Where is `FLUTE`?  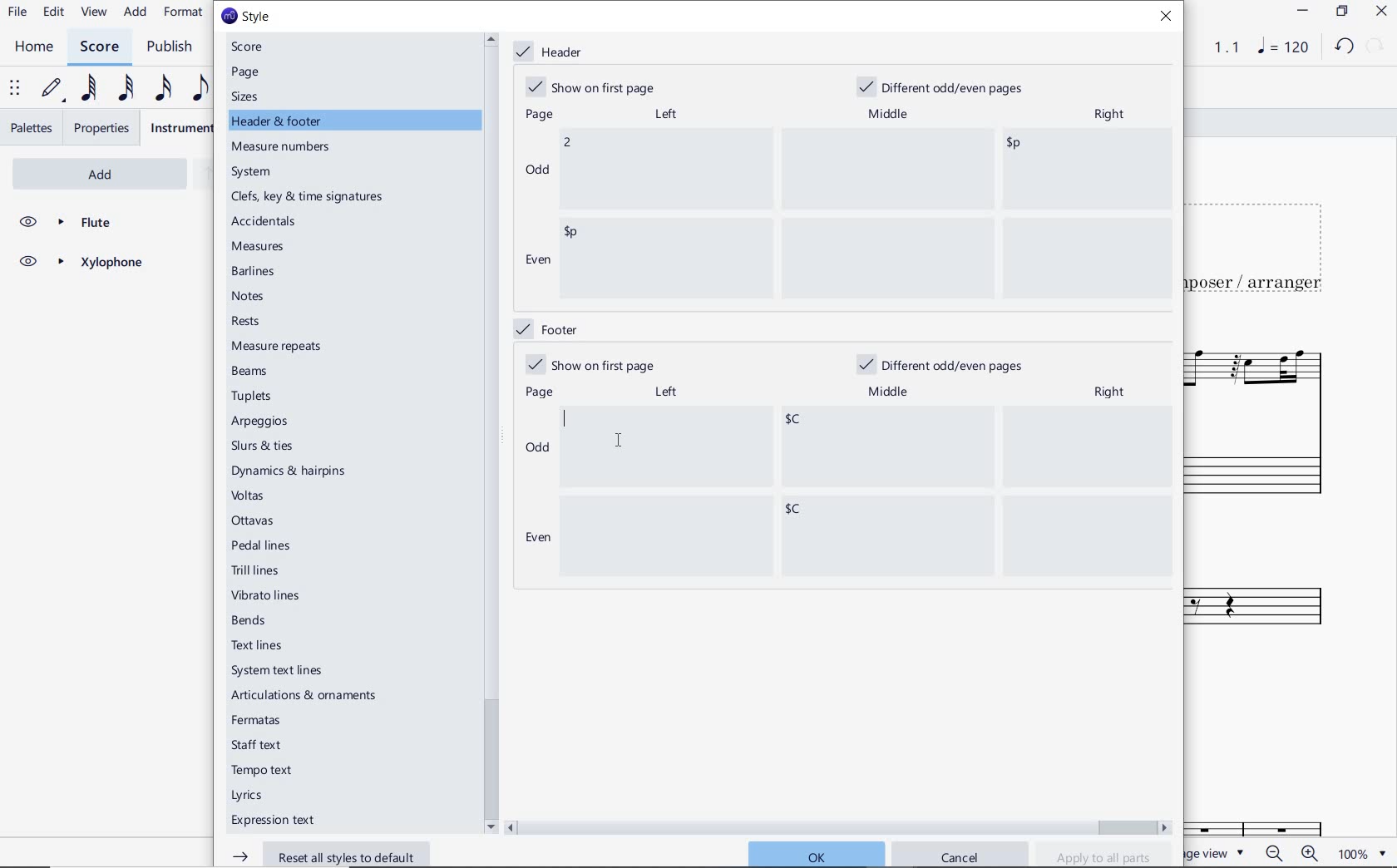
FLUTE is located at coordinates (80, 223).